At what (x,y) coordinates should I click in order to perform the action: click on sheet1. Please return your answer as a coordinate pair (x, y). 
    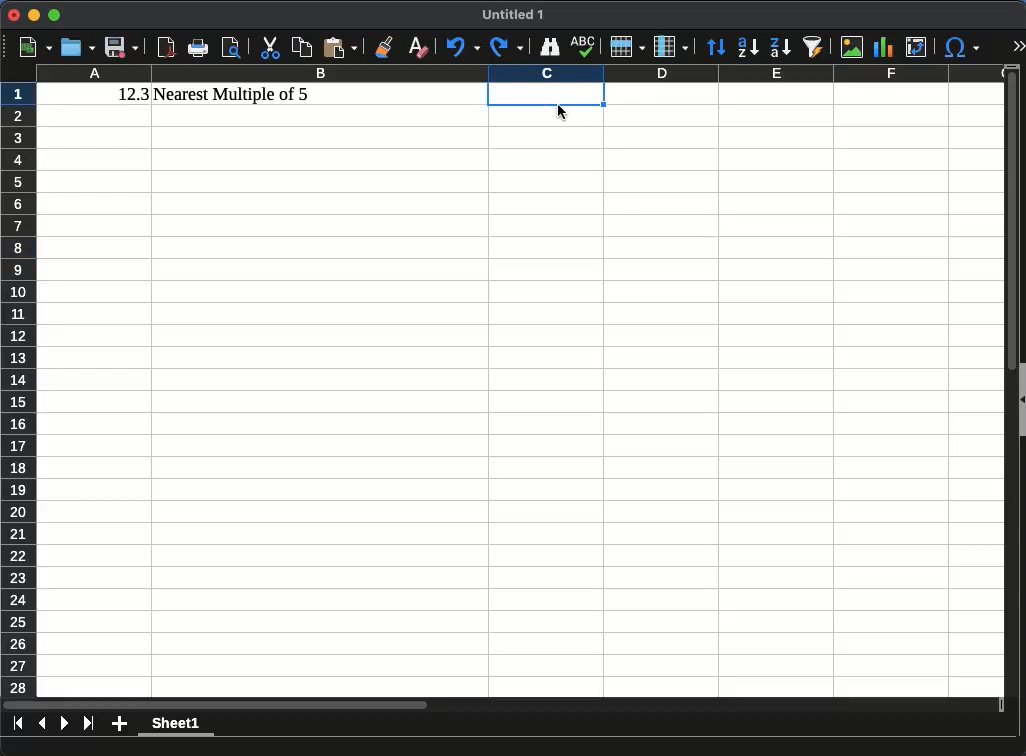
    Looking at the image, I should click on (177, 725).